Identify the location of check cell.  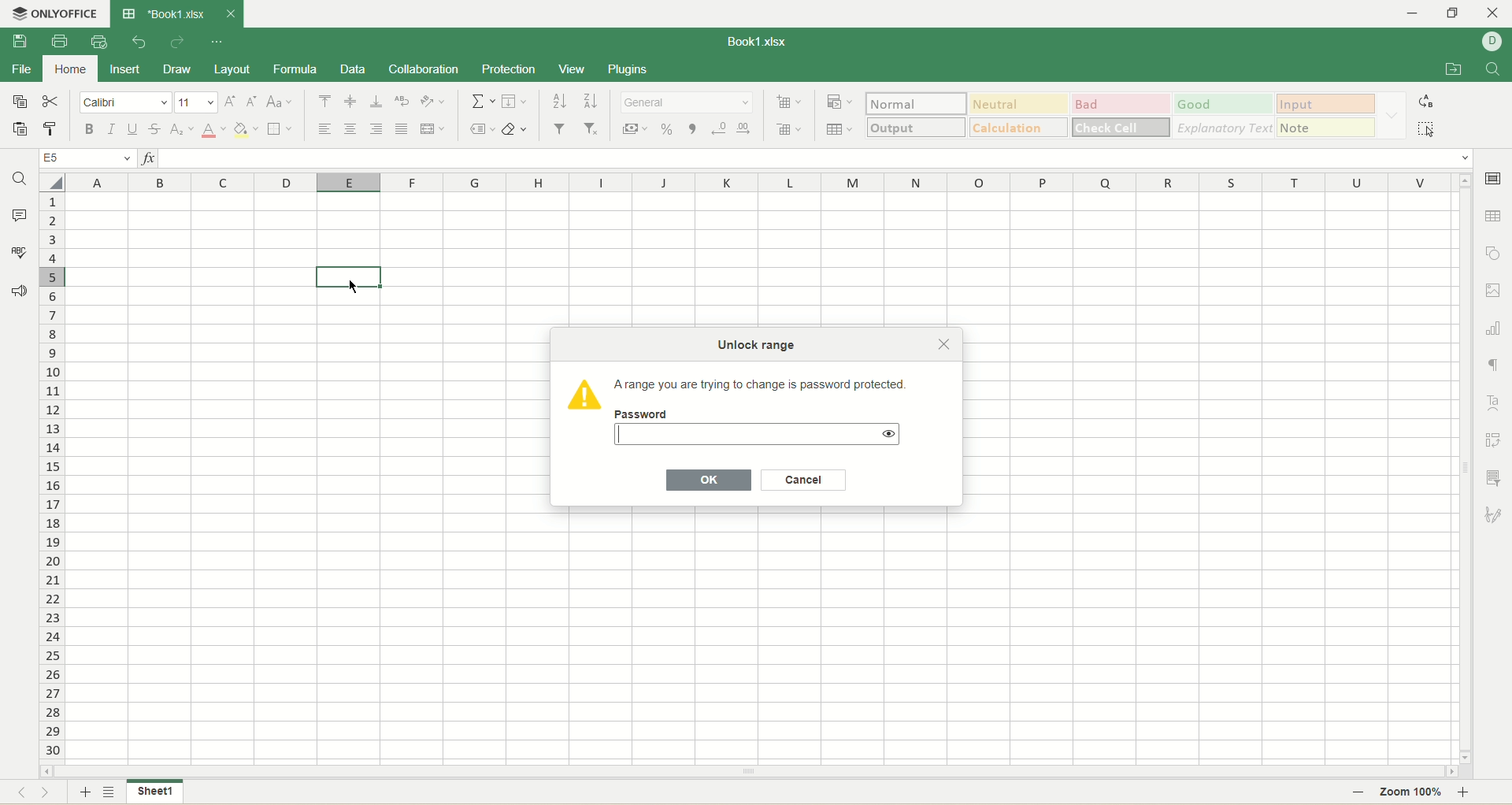
(1121, 127).